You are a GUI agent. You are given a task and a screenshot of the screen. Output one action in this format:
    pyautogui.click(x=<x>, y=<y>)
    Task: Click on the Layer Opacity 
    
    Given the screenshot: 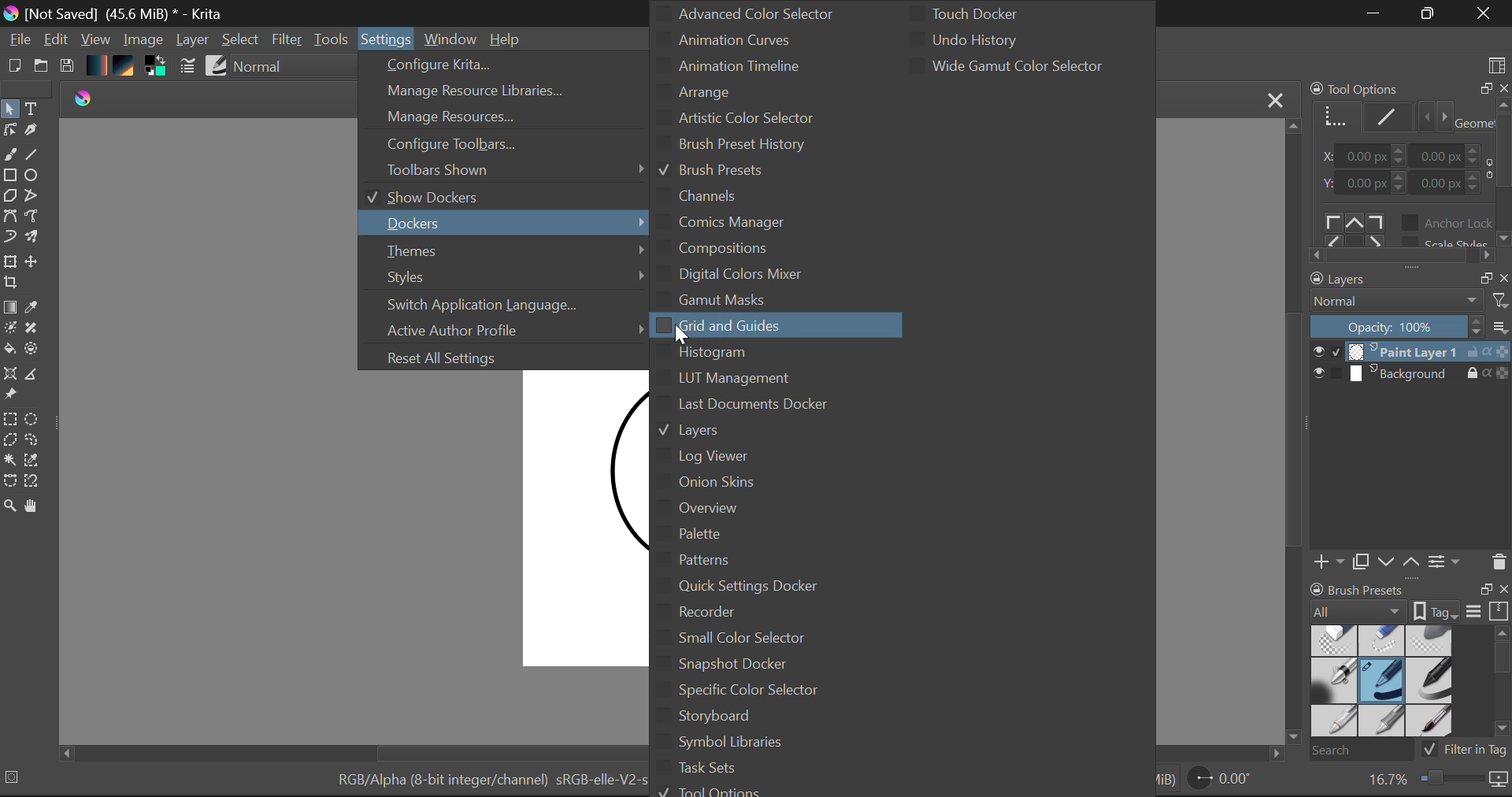 What is the action you would take?
    pyautogui.click(x=1410, y=327)
    